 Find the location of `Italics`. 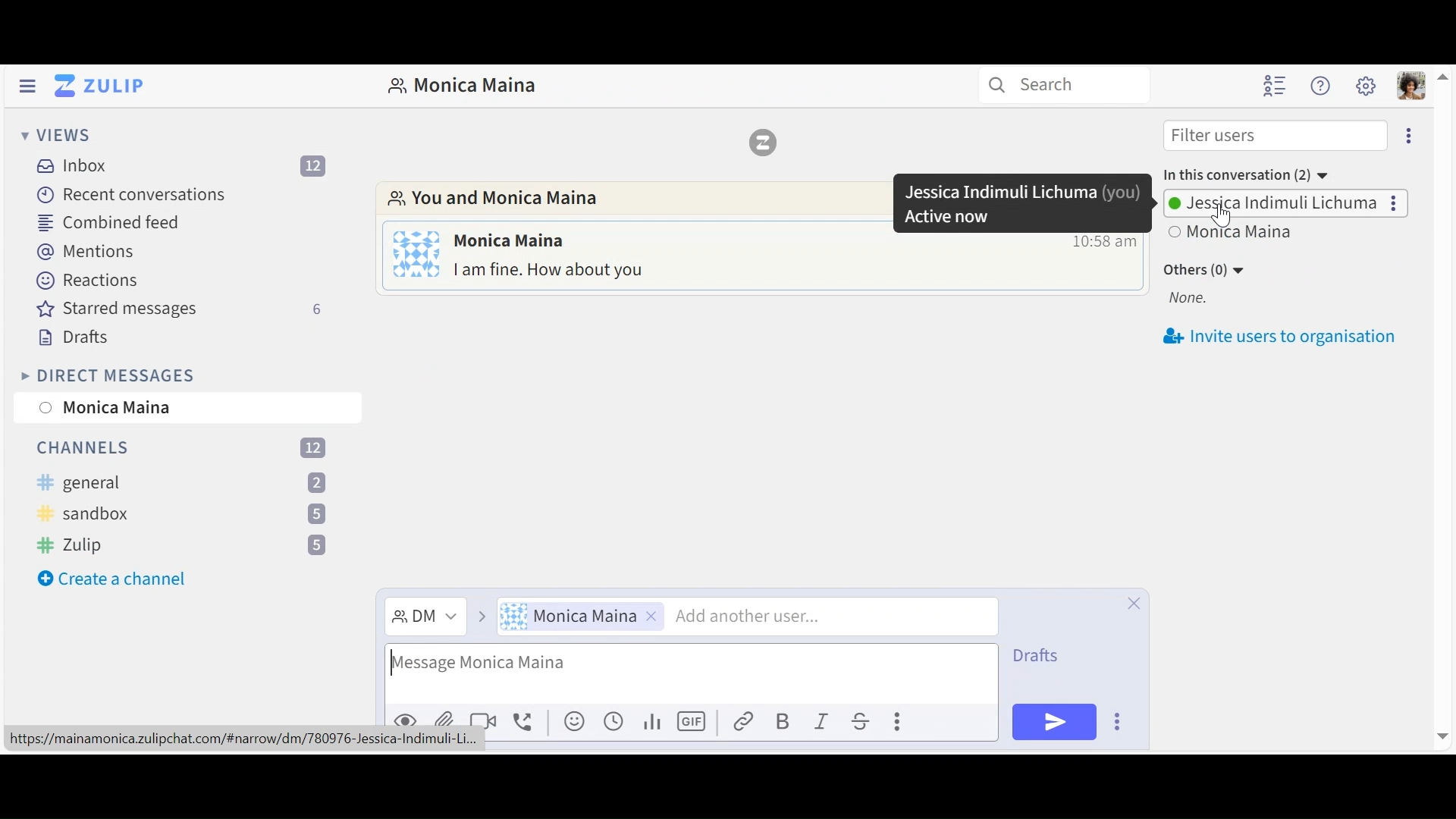

Italics is located at coordinates (825, 721).